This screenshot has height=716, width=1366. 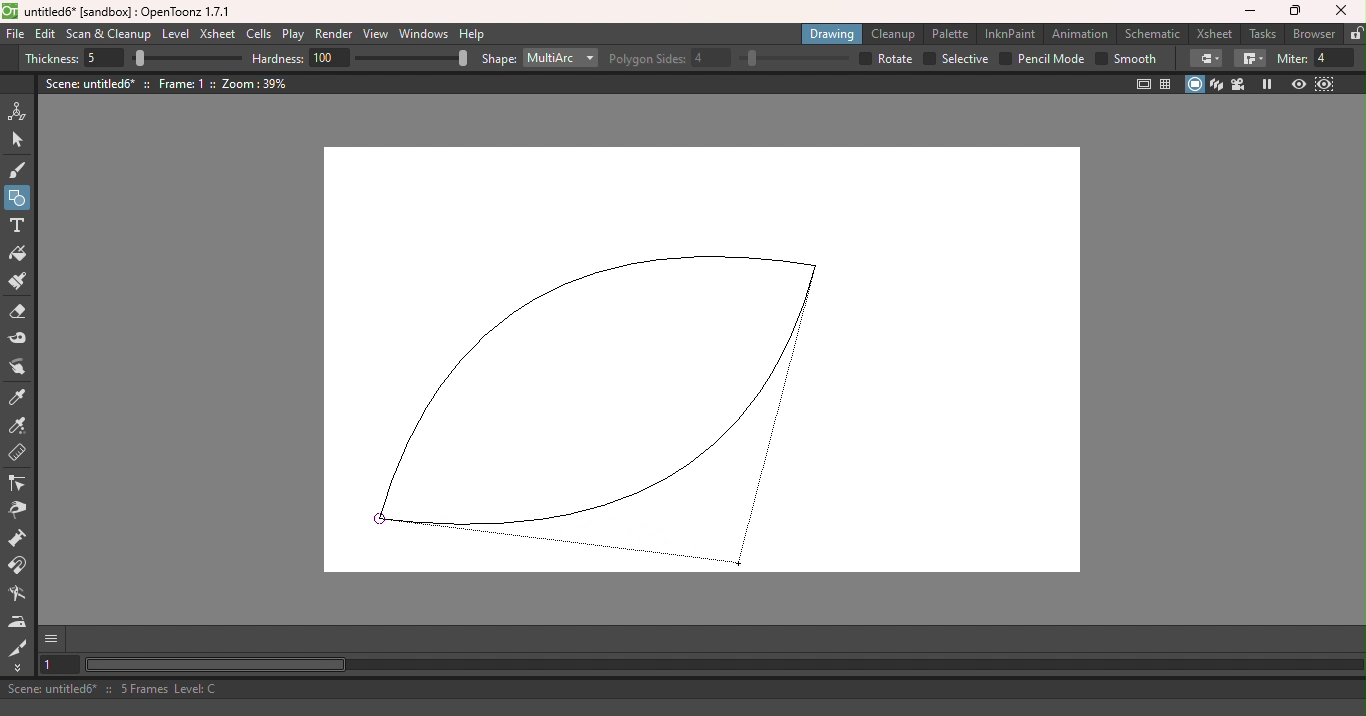 I want to click on Drawing, so click(x=832, y=34).